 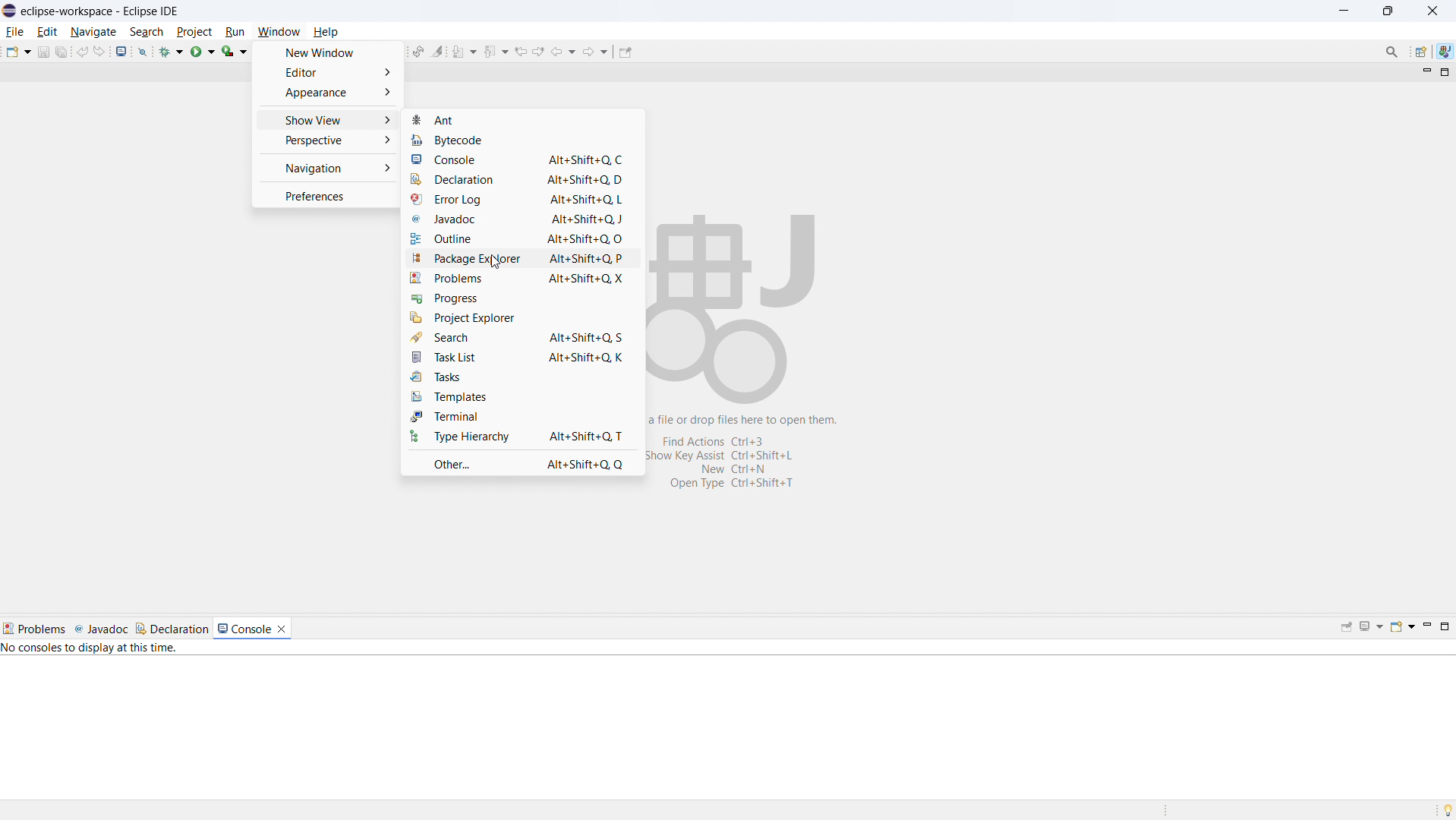 What do you see at coordinates (563, 50) in the screenshot?
I see `back` at bounding box center [563, 50].